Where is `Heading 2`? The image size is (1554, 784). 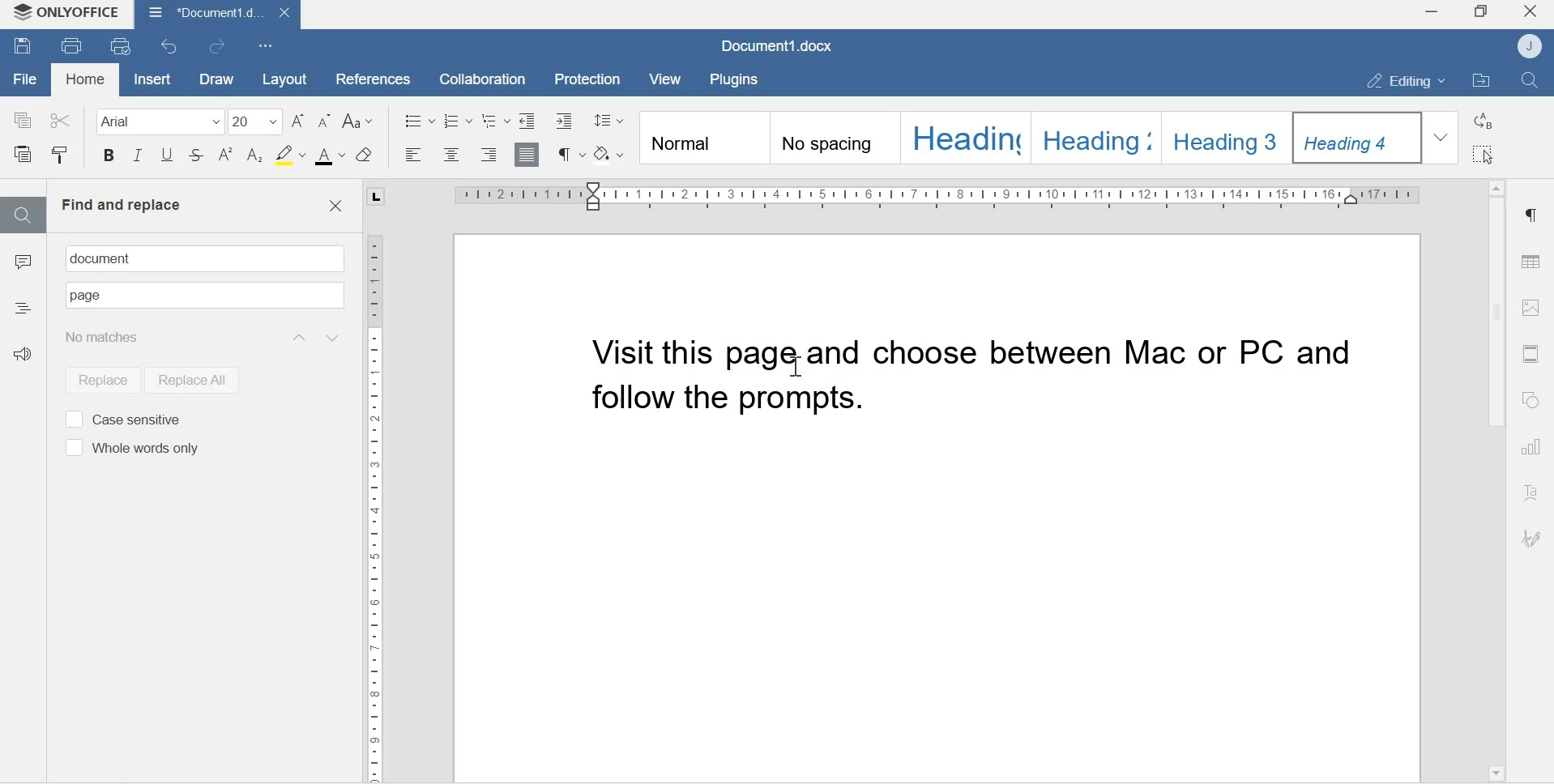
Heading 2 is located at coordinates (1098, 136).